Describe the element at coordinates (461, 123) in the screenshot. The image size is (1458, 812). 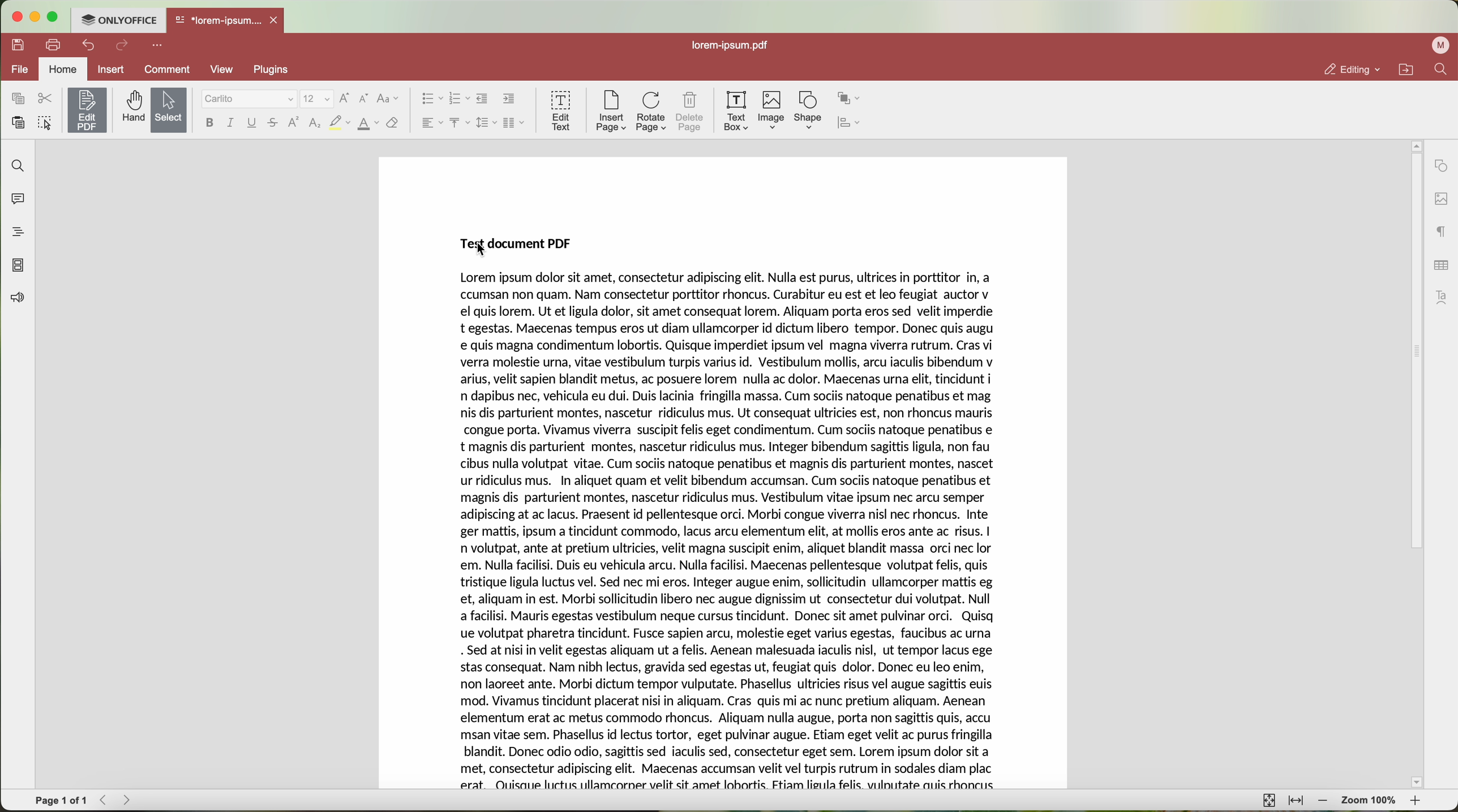
I see `vertical align` at that location.